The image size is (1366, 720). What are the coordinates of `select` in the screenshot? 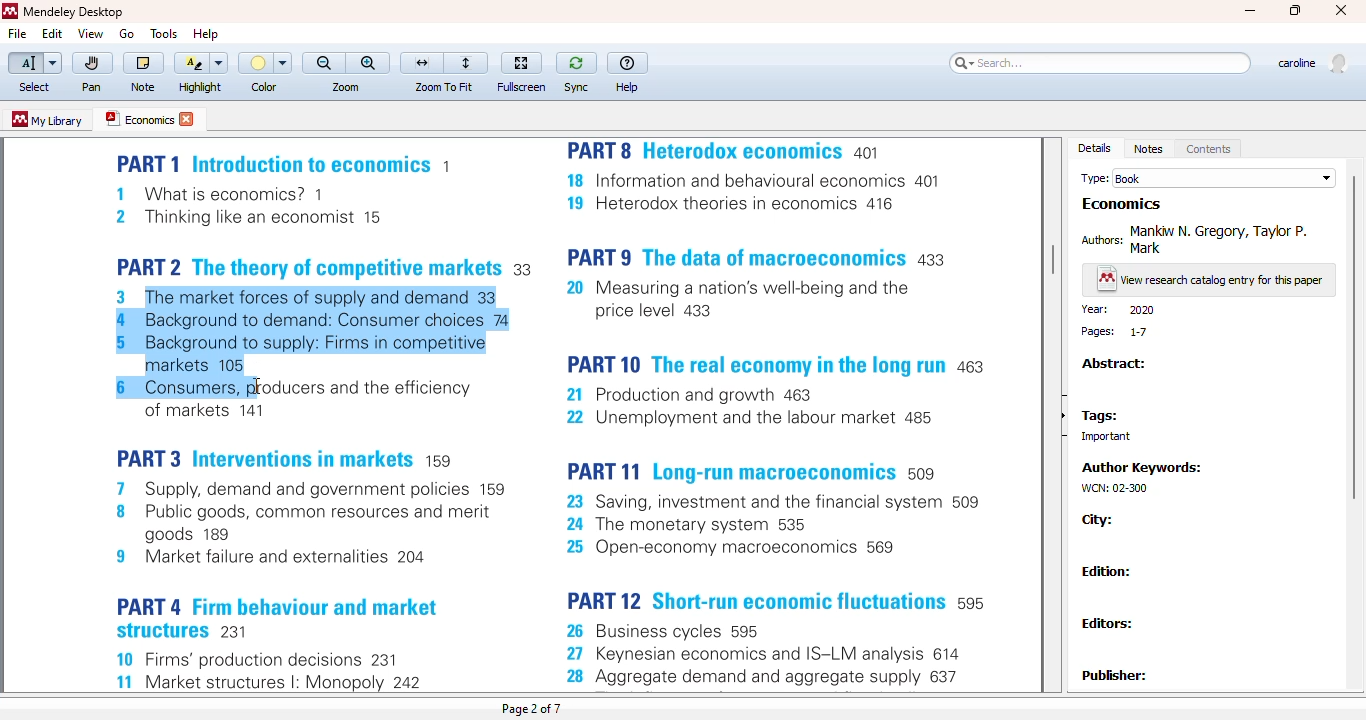 It's located at (34, 88).